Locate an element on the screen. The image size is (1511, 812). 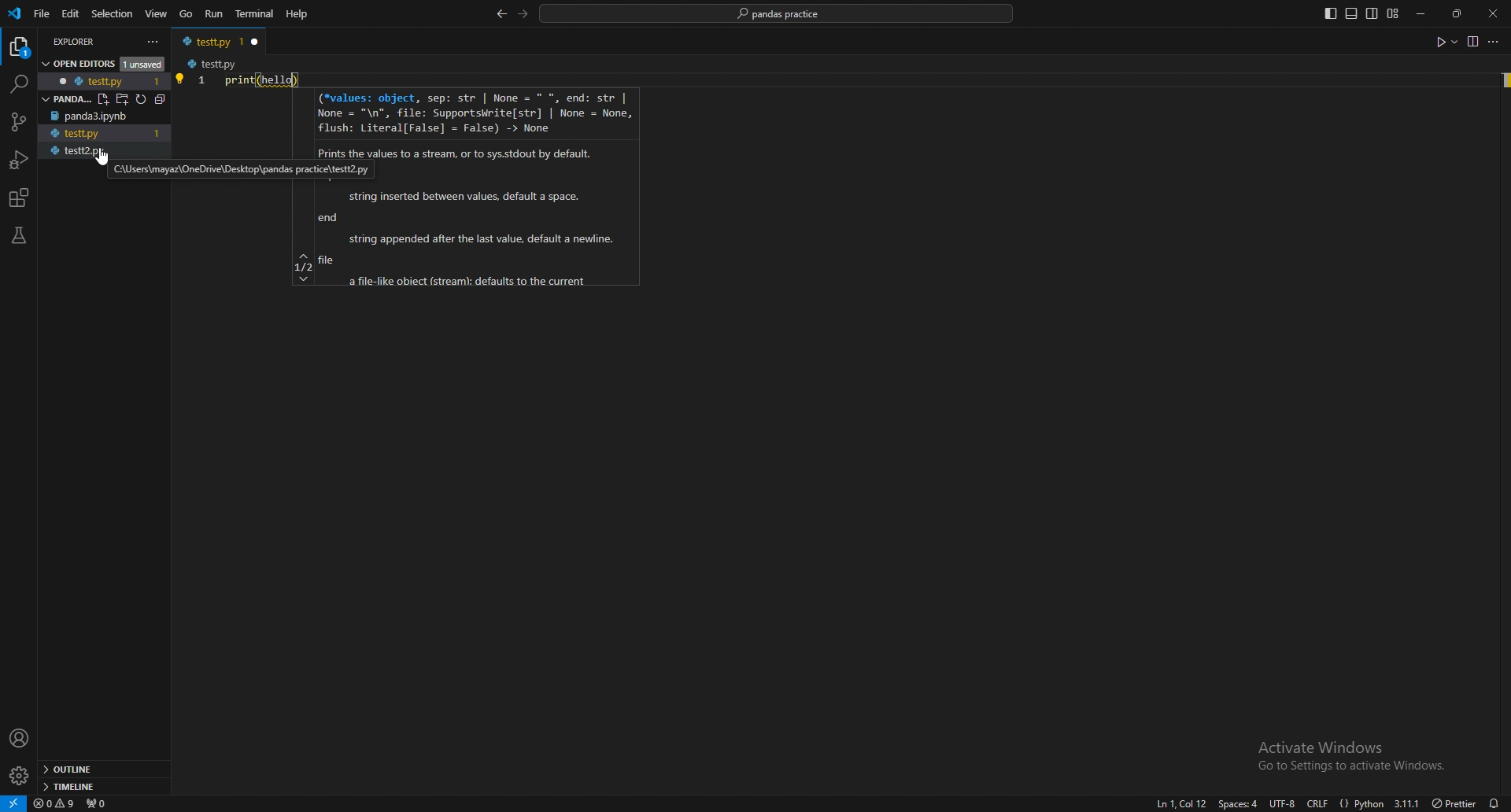
remote window is located at coordinates (13, 803).